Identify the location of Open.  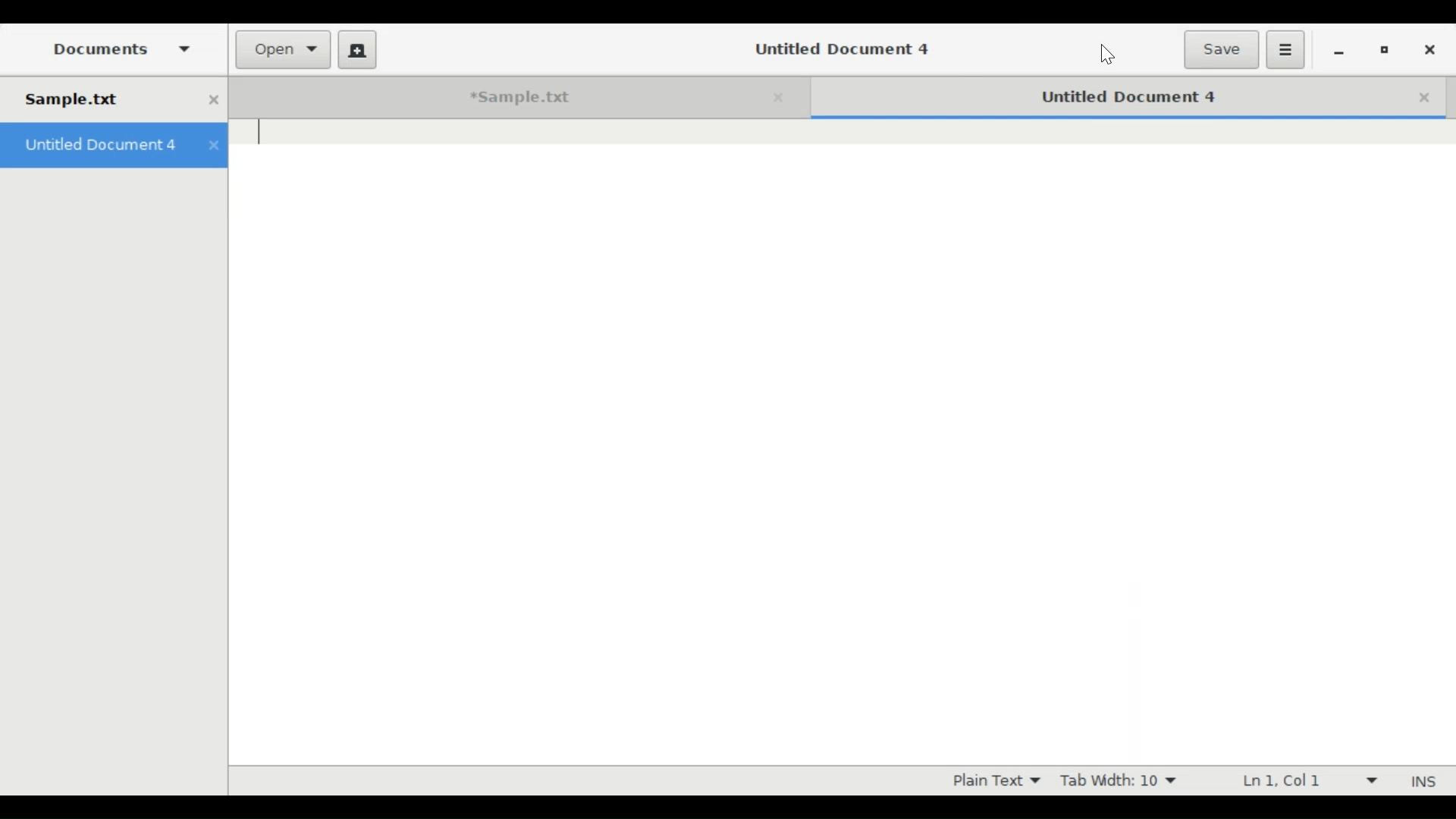
(284, 49).